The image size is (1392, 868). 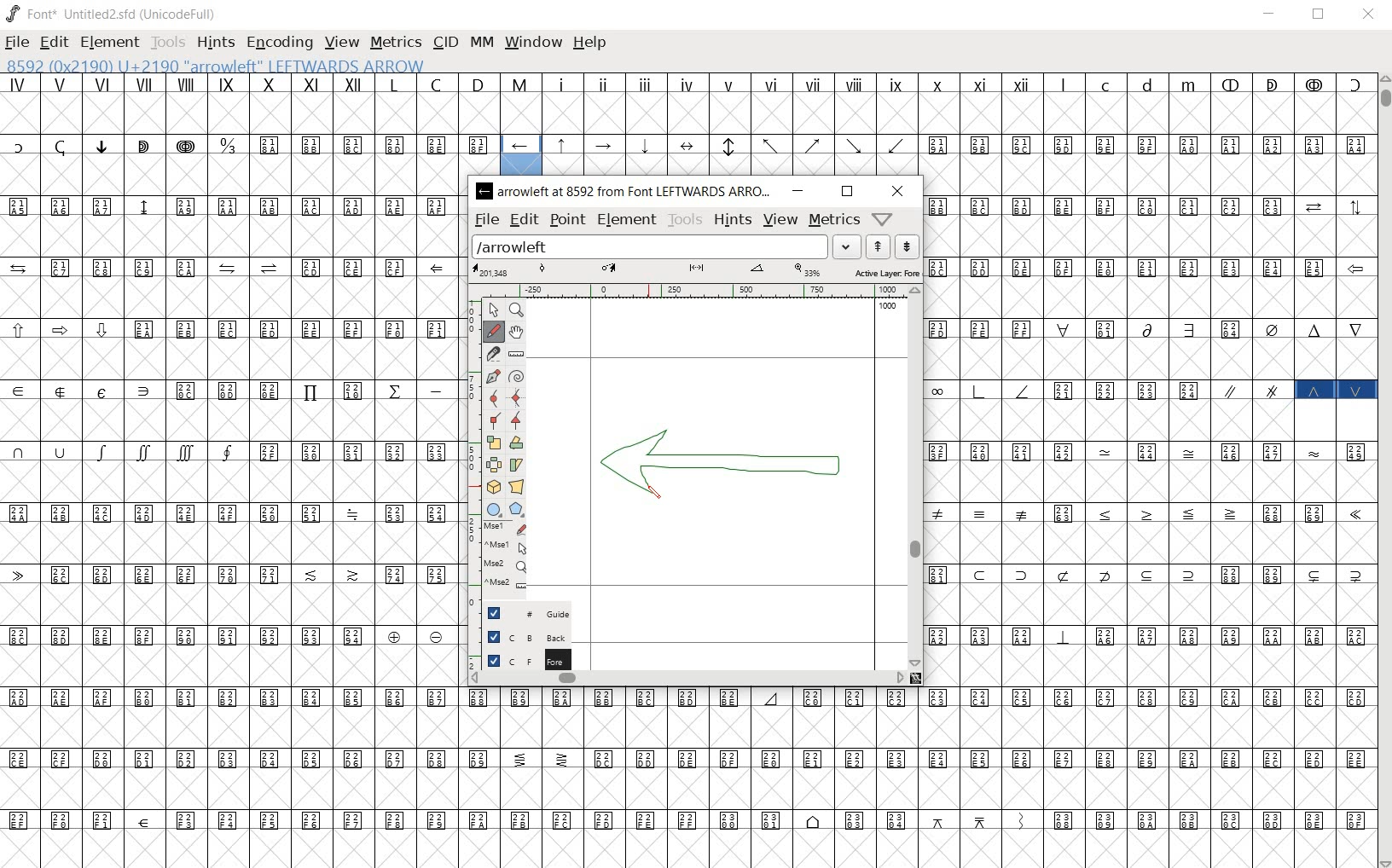 I want to click on Help/Window, so click(x=885, y=219).